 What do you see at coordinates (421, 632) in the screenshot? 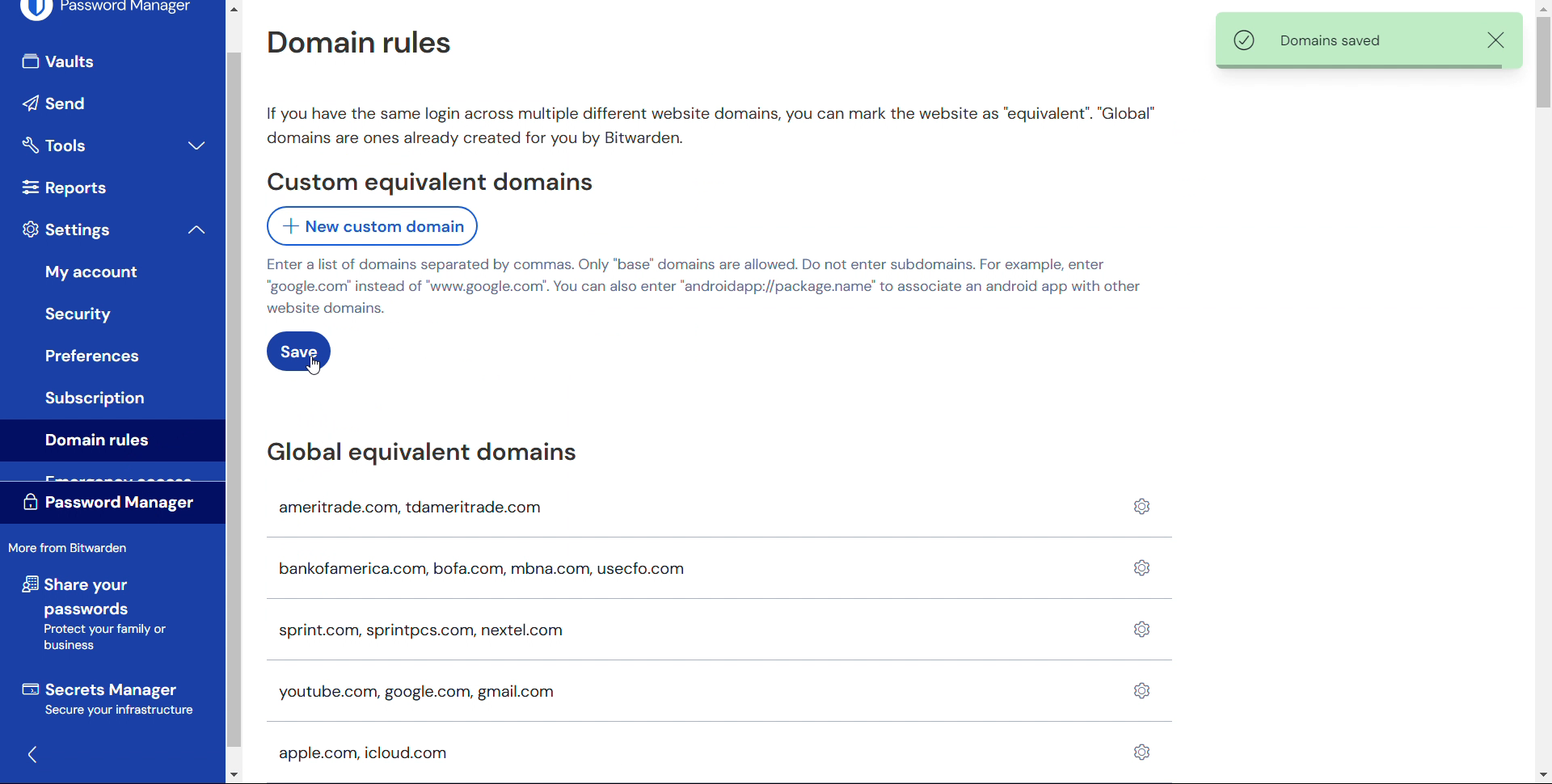
I see `sprint.com, sprintpcs.com, nextel.com` at bounding box center [421, 632].